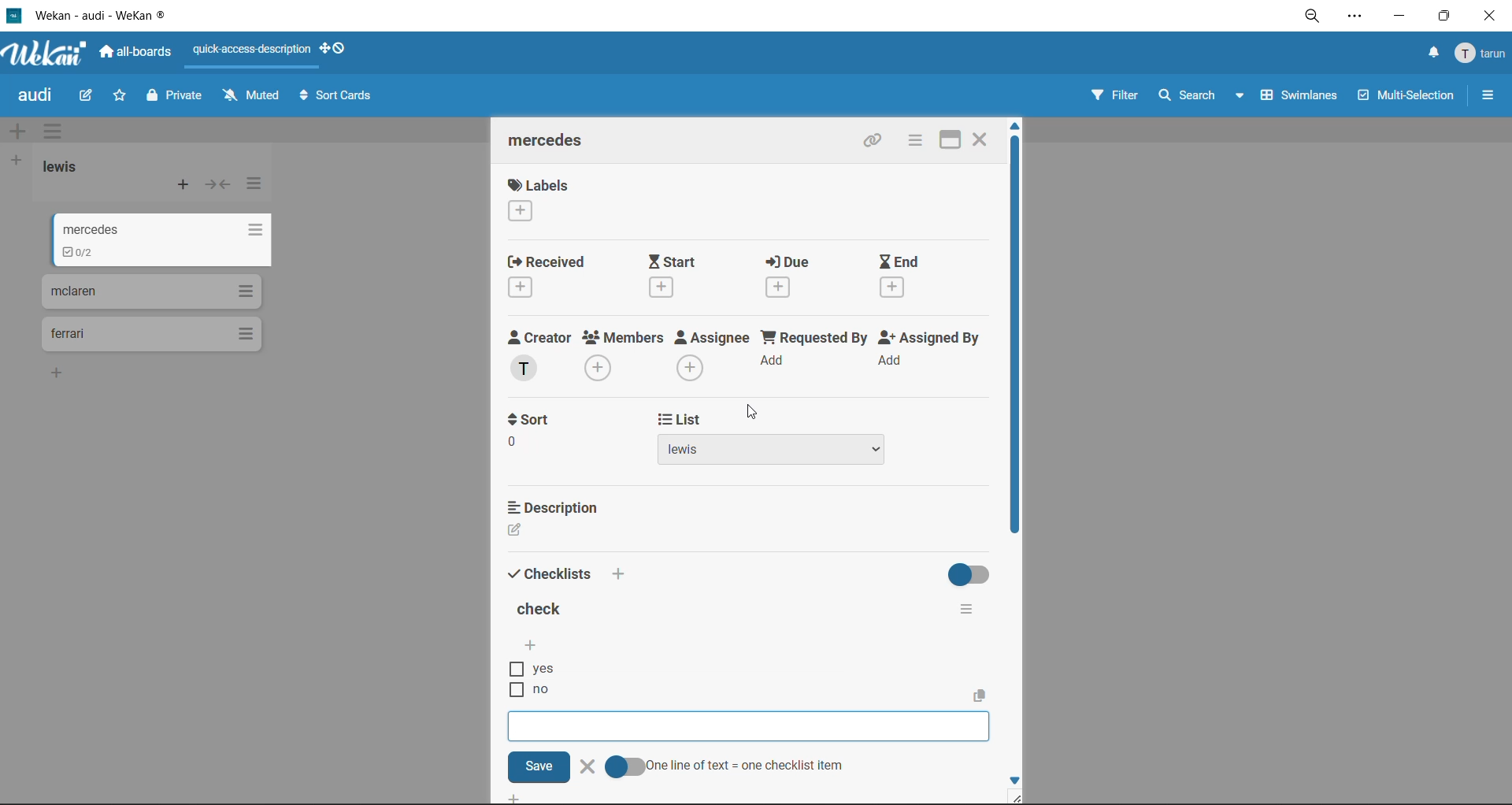 Image resolution: width=1512 pixels, height=805 pixels. I want to click on edit, so click(87, 95).